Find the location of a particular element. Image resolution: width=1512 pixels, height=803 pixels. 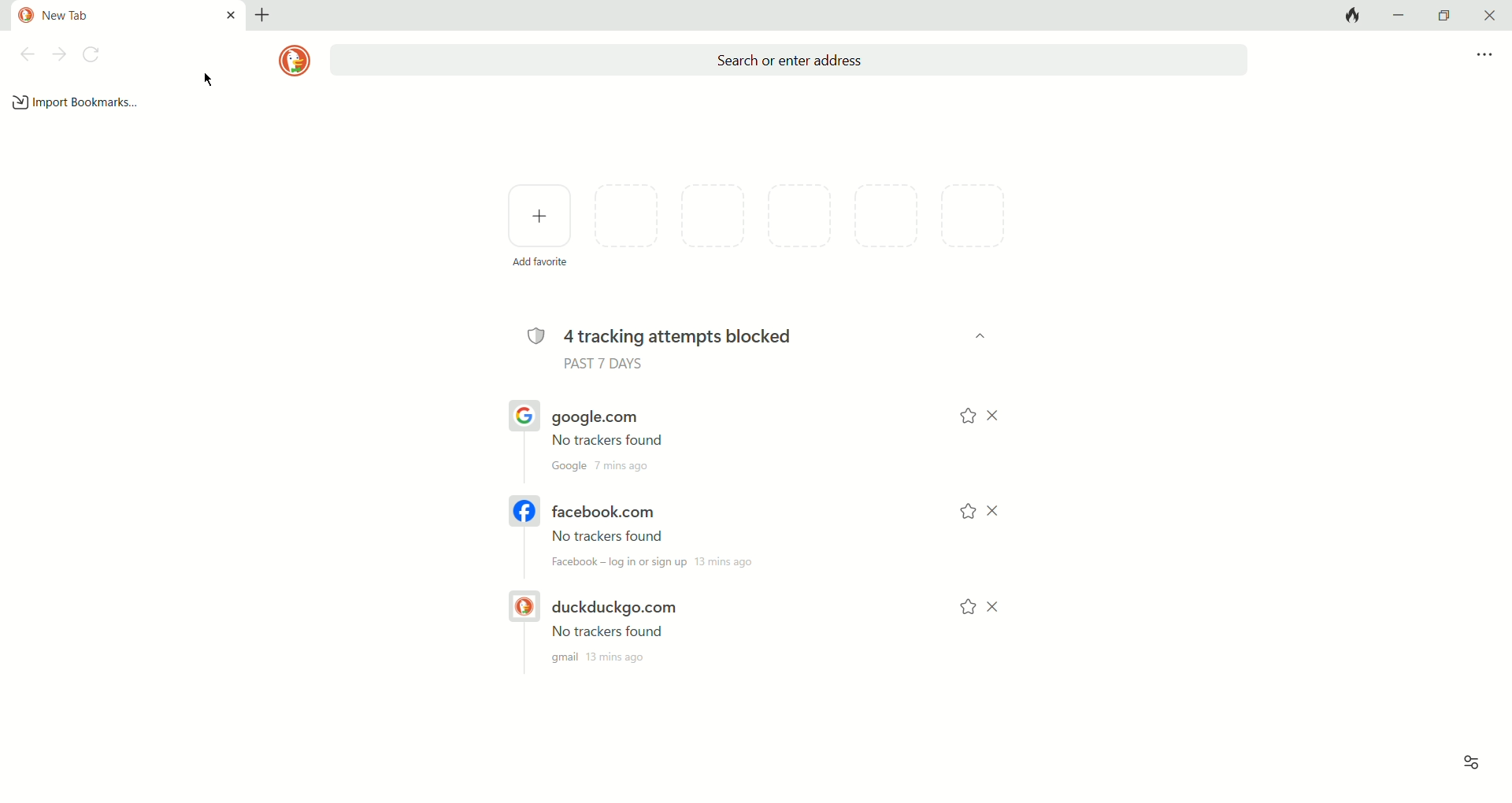

close is located at coordinates (1486, 17).